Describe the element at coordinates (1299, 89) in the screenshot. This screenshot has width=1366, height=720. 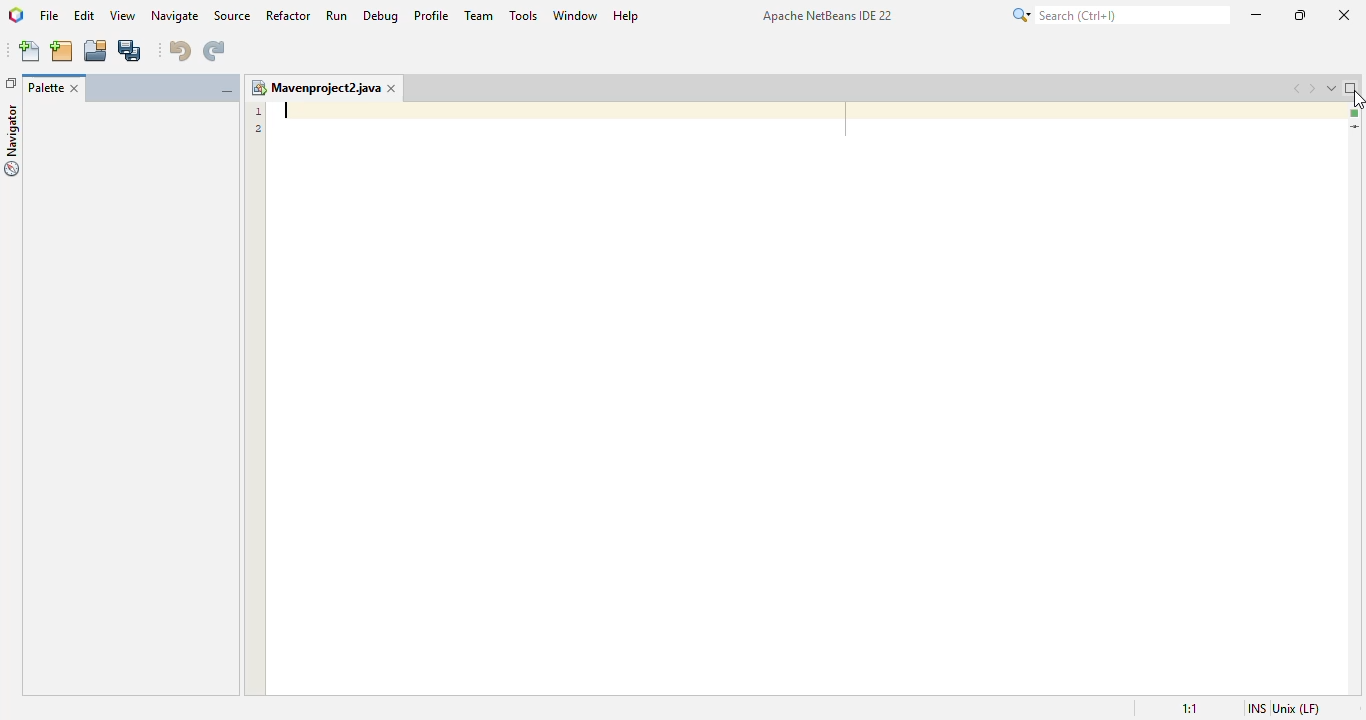
I see `scroll documents left` at that location.